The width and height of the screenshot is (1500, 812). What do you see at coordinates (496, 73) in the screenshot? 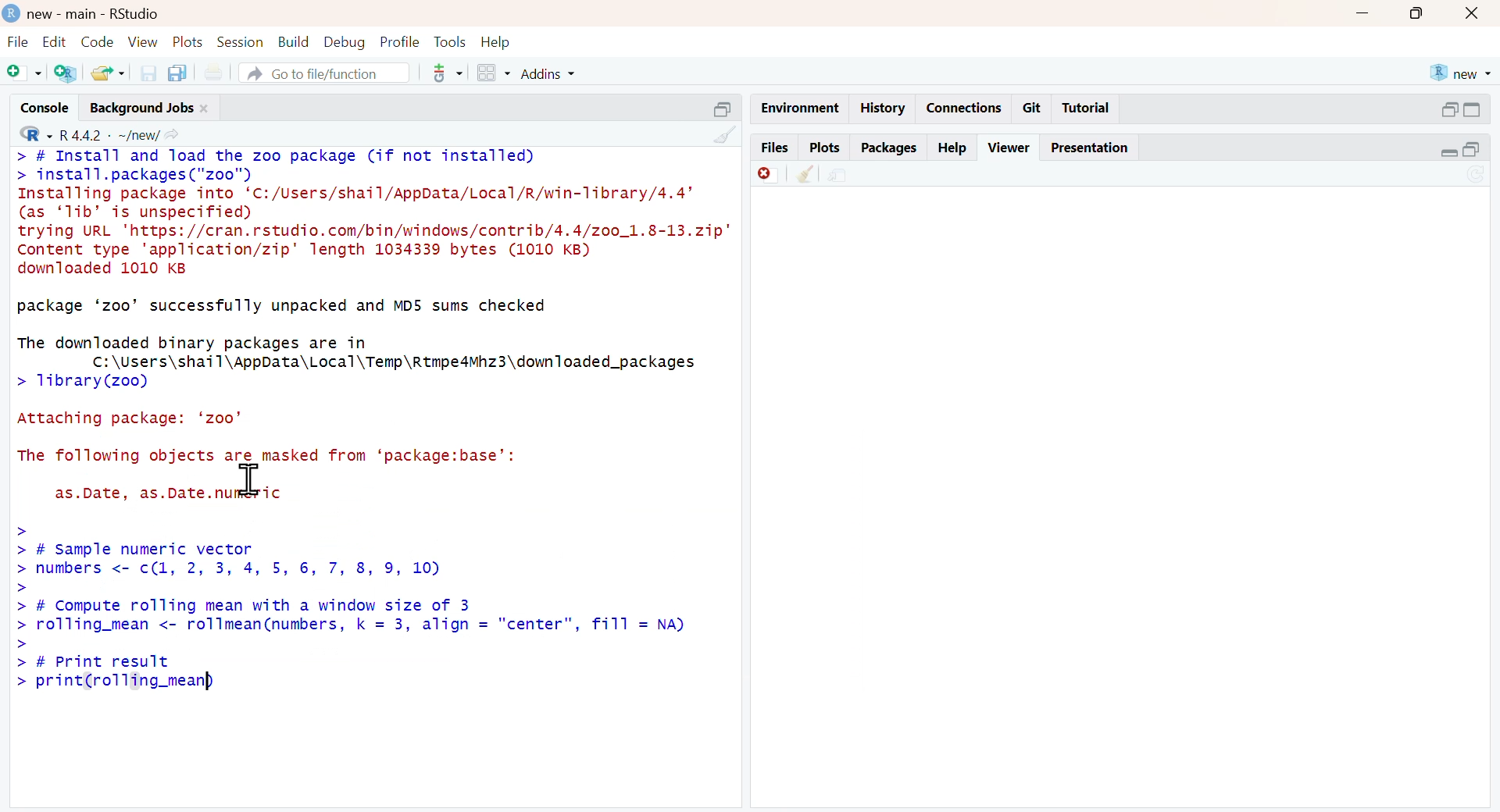
I see `grid` at bounding box center [496, 73].